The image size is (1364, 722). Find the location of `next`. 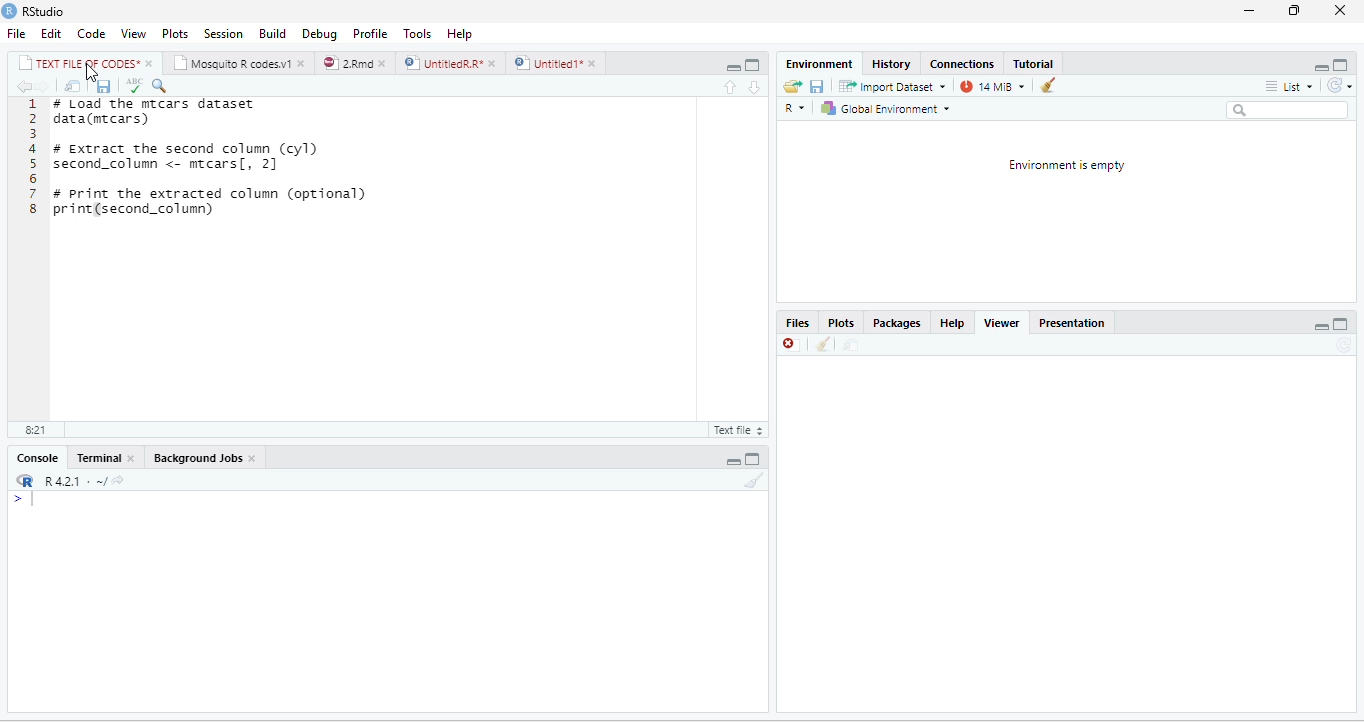

next is located at coordinates (46, 87).